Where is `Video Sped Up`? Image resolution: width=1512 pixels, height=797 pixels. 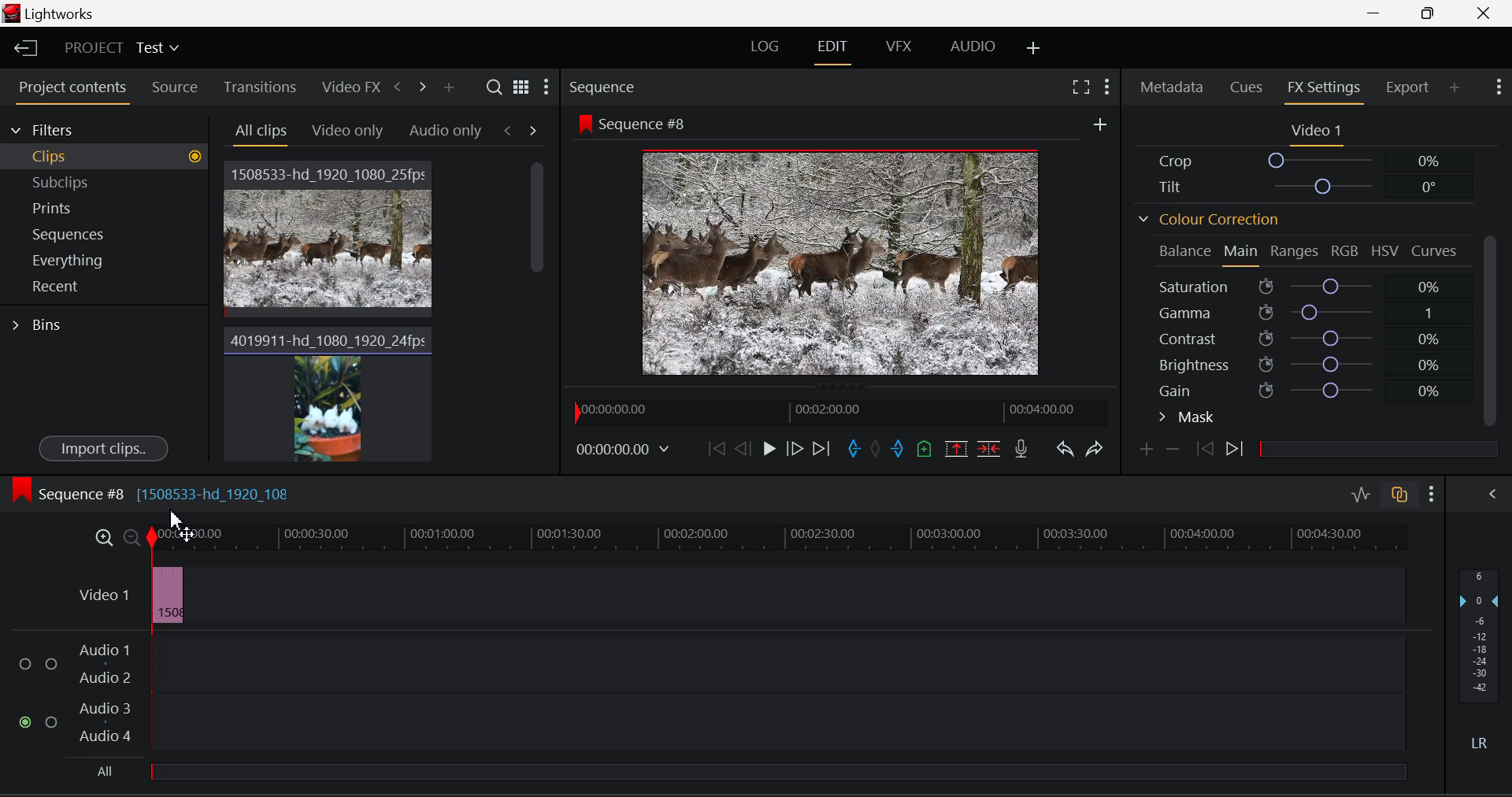 Video Sped Up is located at coordinates (172, 595).